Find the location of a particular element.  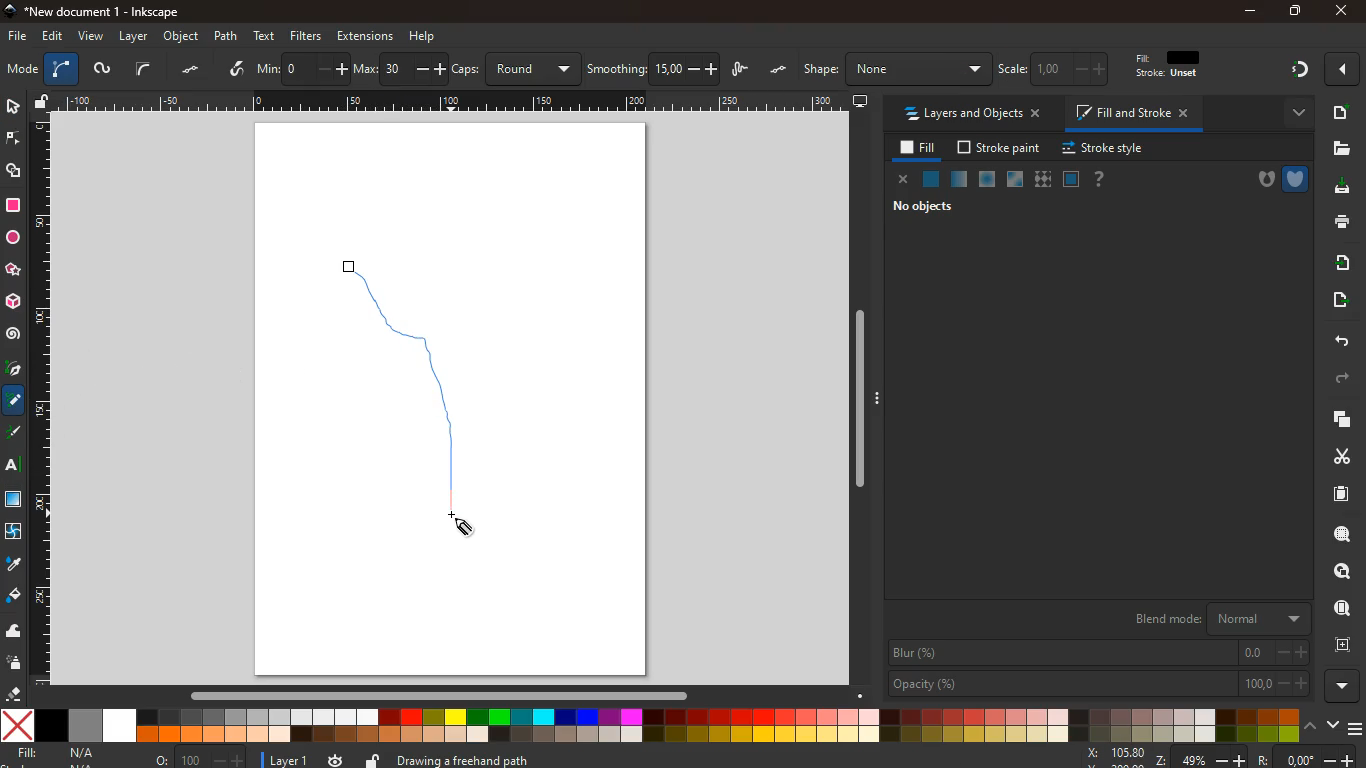

picture is located at coordinates (102, 69).